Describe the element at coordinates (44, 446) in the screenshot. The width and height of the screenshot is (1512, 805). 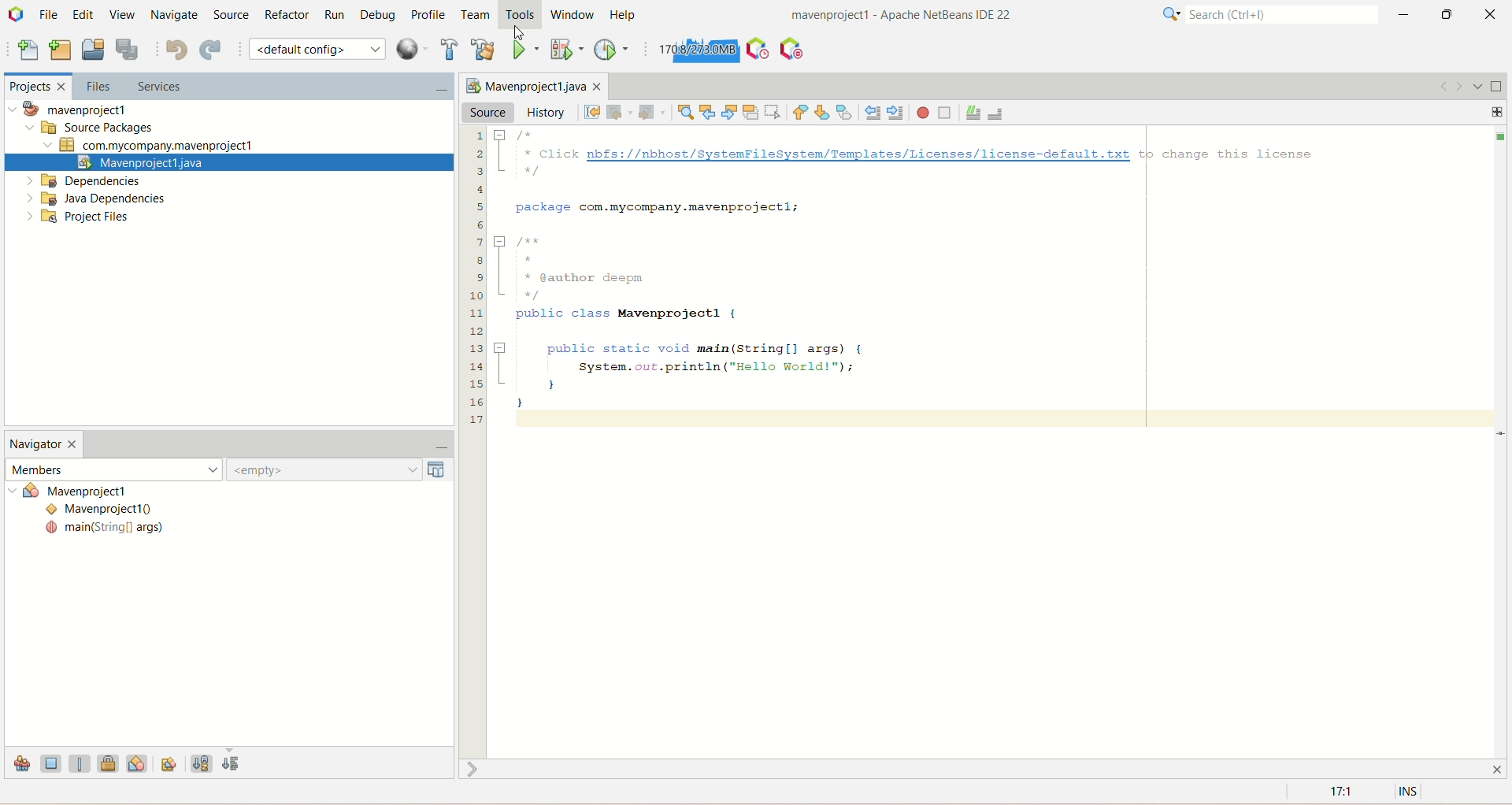
I see `navigator` at that location.